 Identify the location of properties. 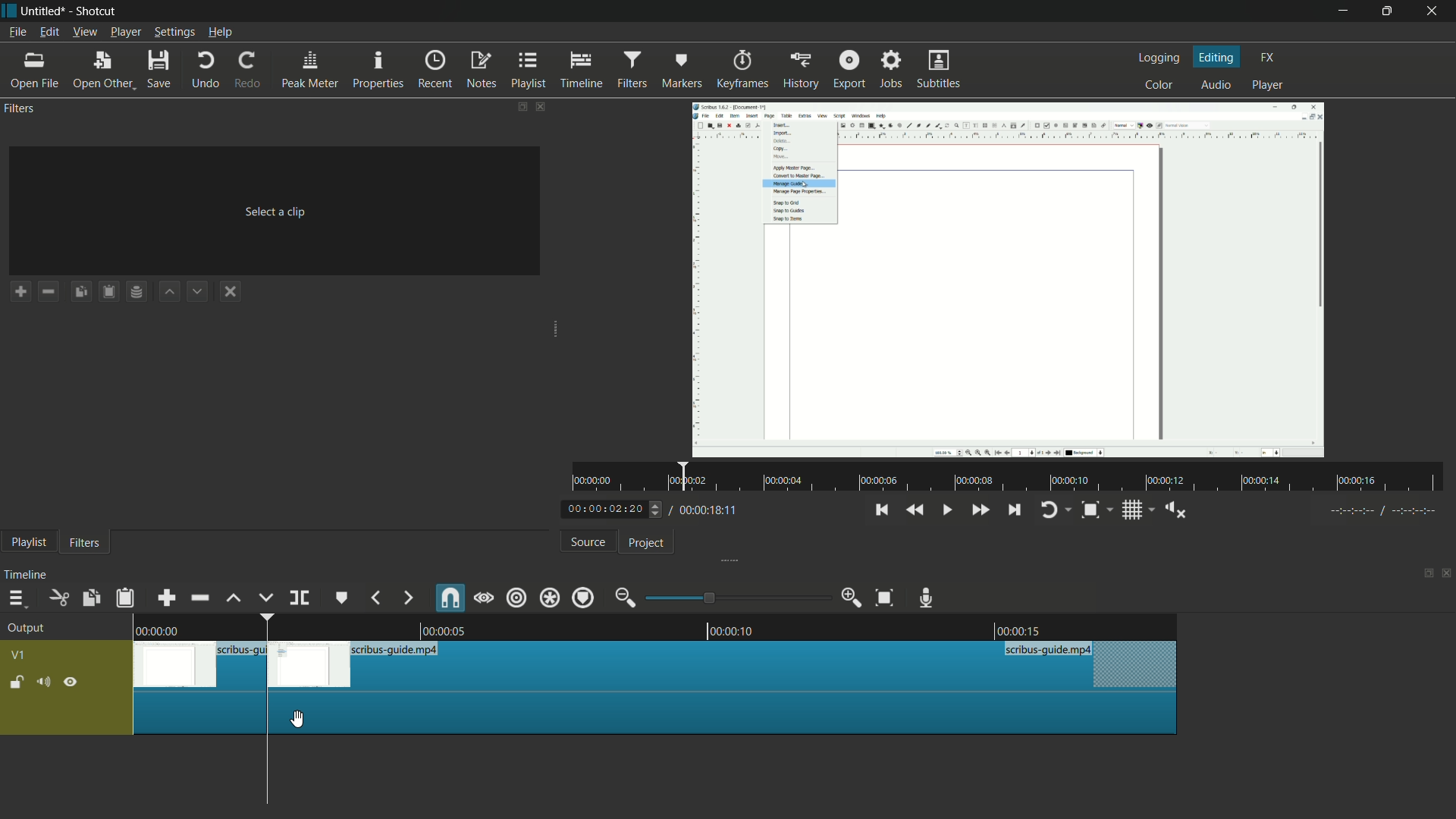
(378, 69).